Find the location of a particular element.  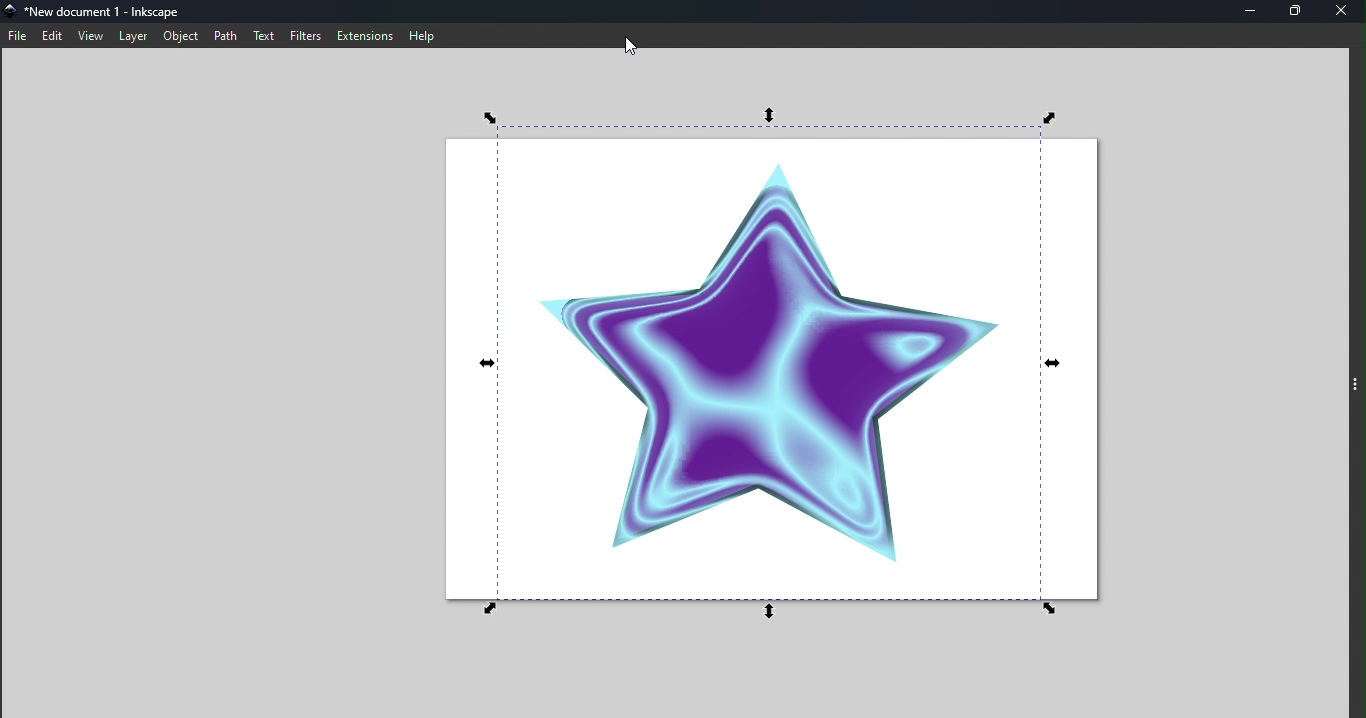

Minimize is located at coordinates (1257, 13).